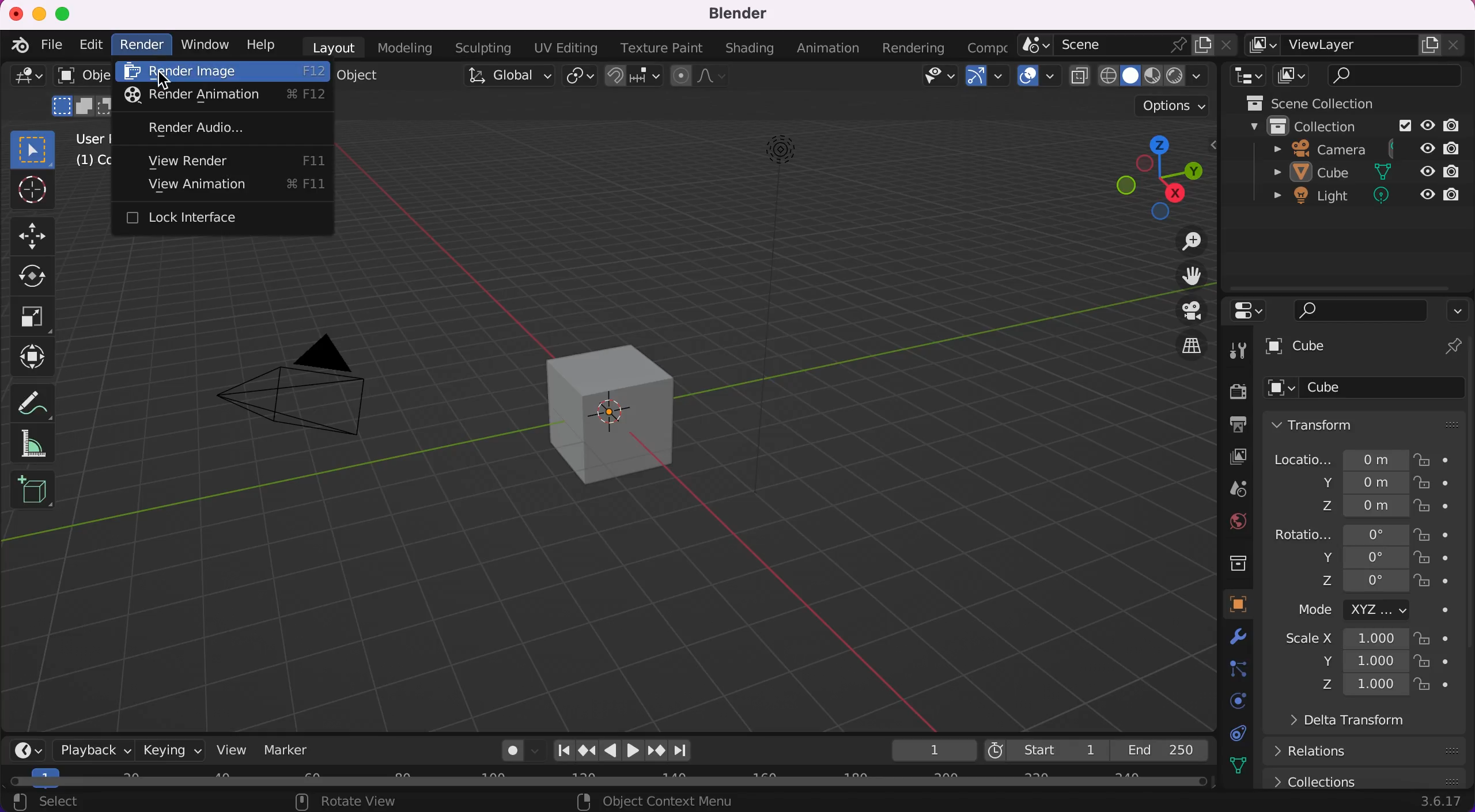 This screenshot has width=1475, height=812. Describe the element at coordinates (1317, 150) in the screenshot. I see `camera` at that location.